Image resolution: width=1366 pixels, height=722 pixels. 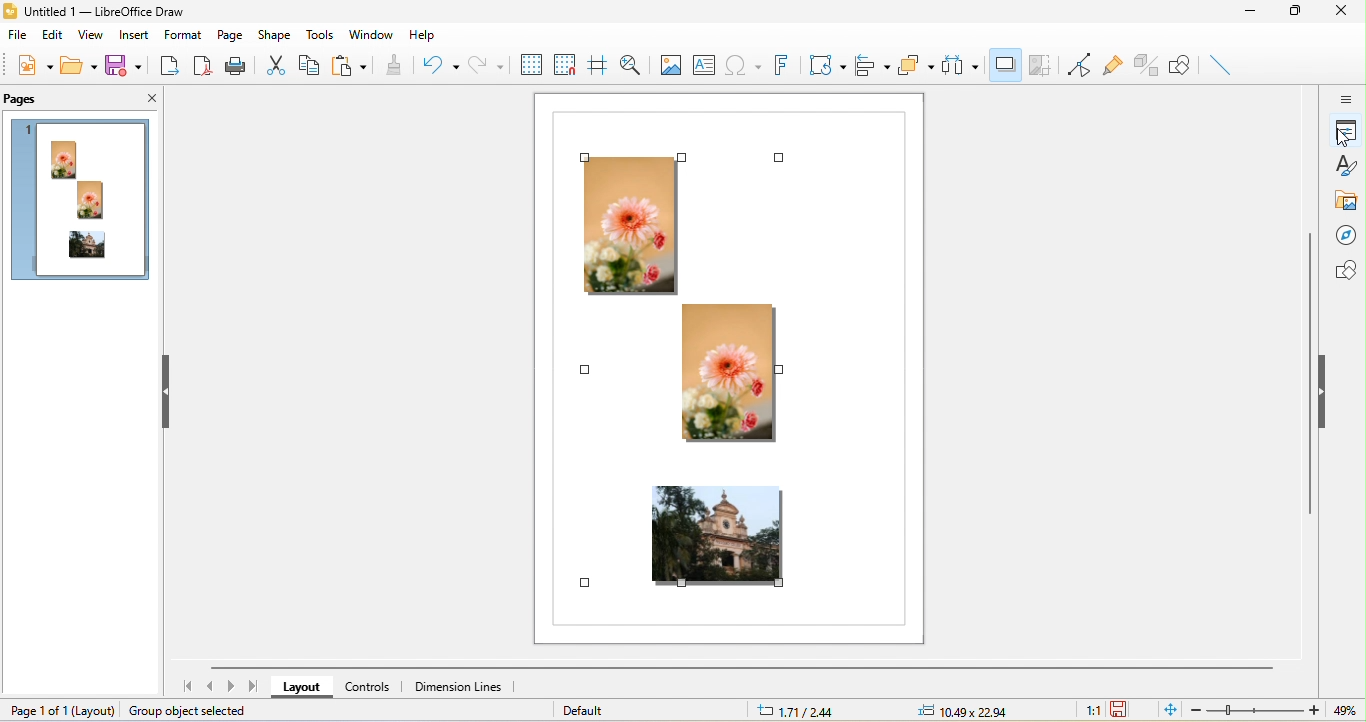 What do you see at coordinates (239, 67) in the screenshot?
I see `print` at bounding box center [239, 67].